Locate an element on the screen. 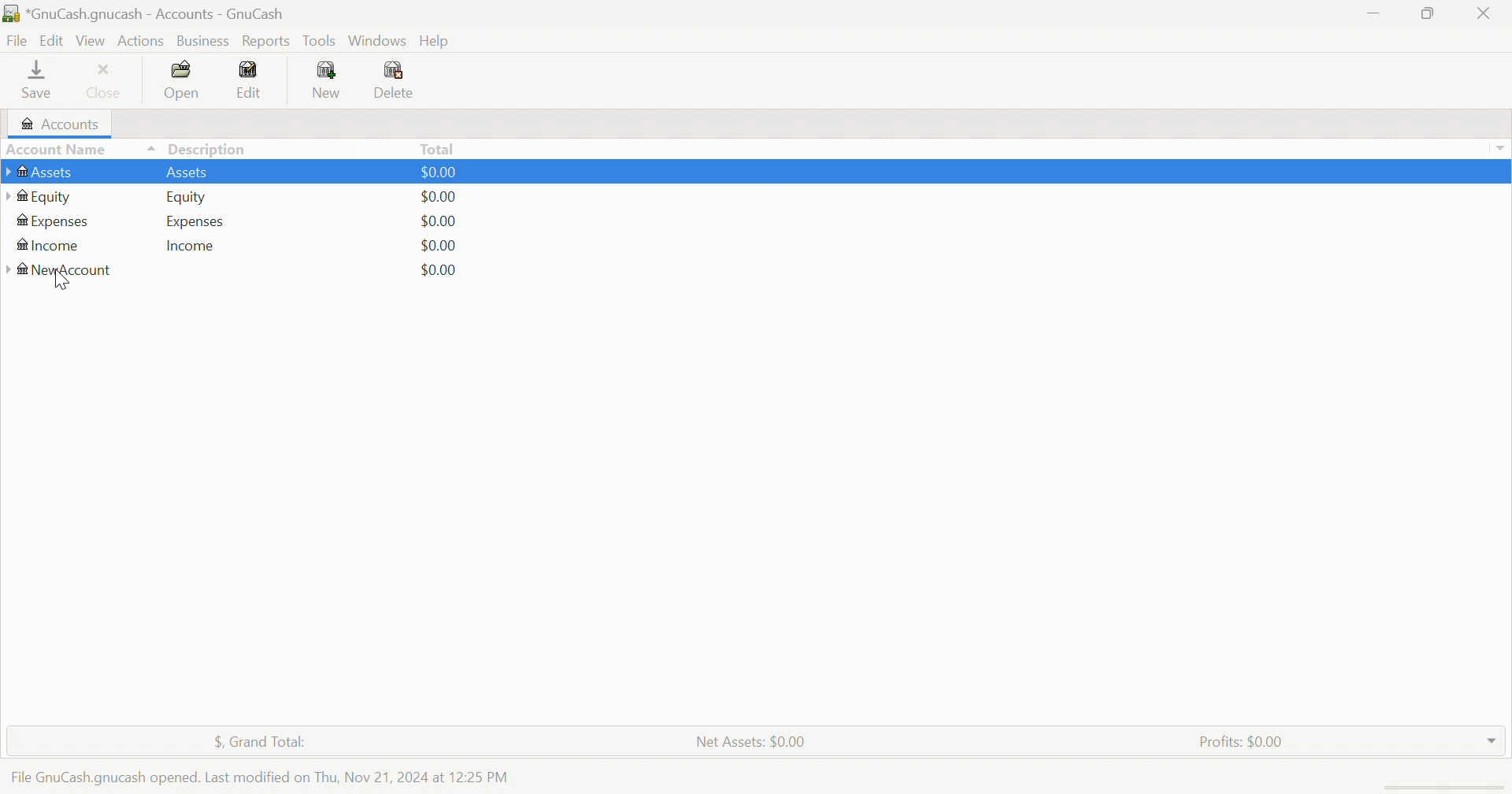  Assets is located at coordinates (48, 172).